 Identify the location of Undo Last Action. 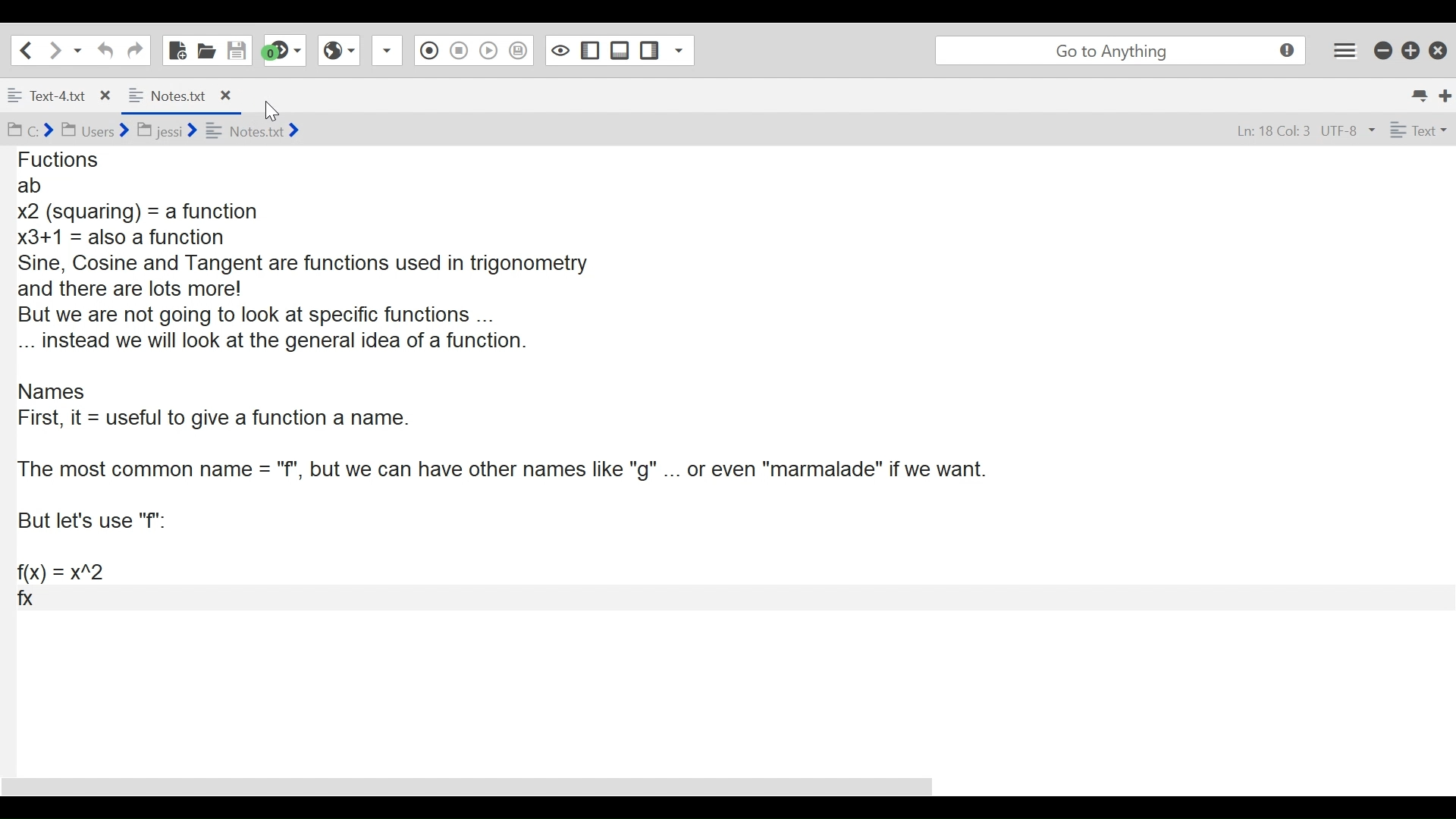
(103, 50).